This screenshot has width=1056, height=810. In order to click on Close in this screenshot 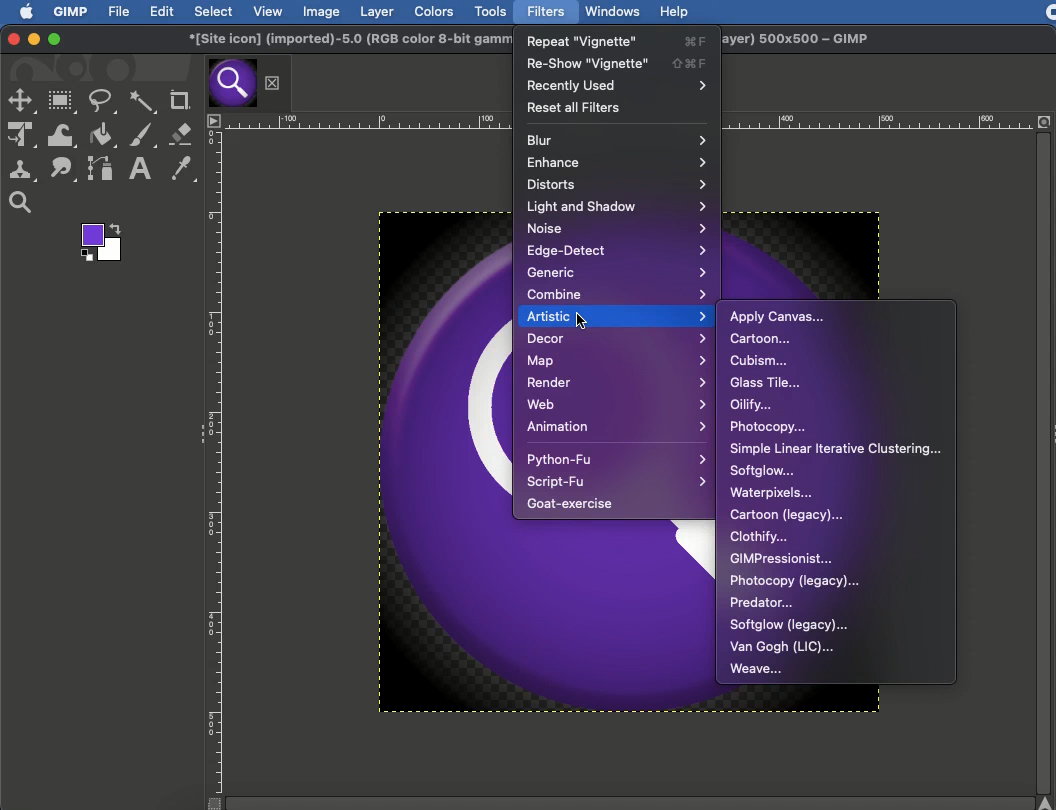, I will do `click(13, 38)`.